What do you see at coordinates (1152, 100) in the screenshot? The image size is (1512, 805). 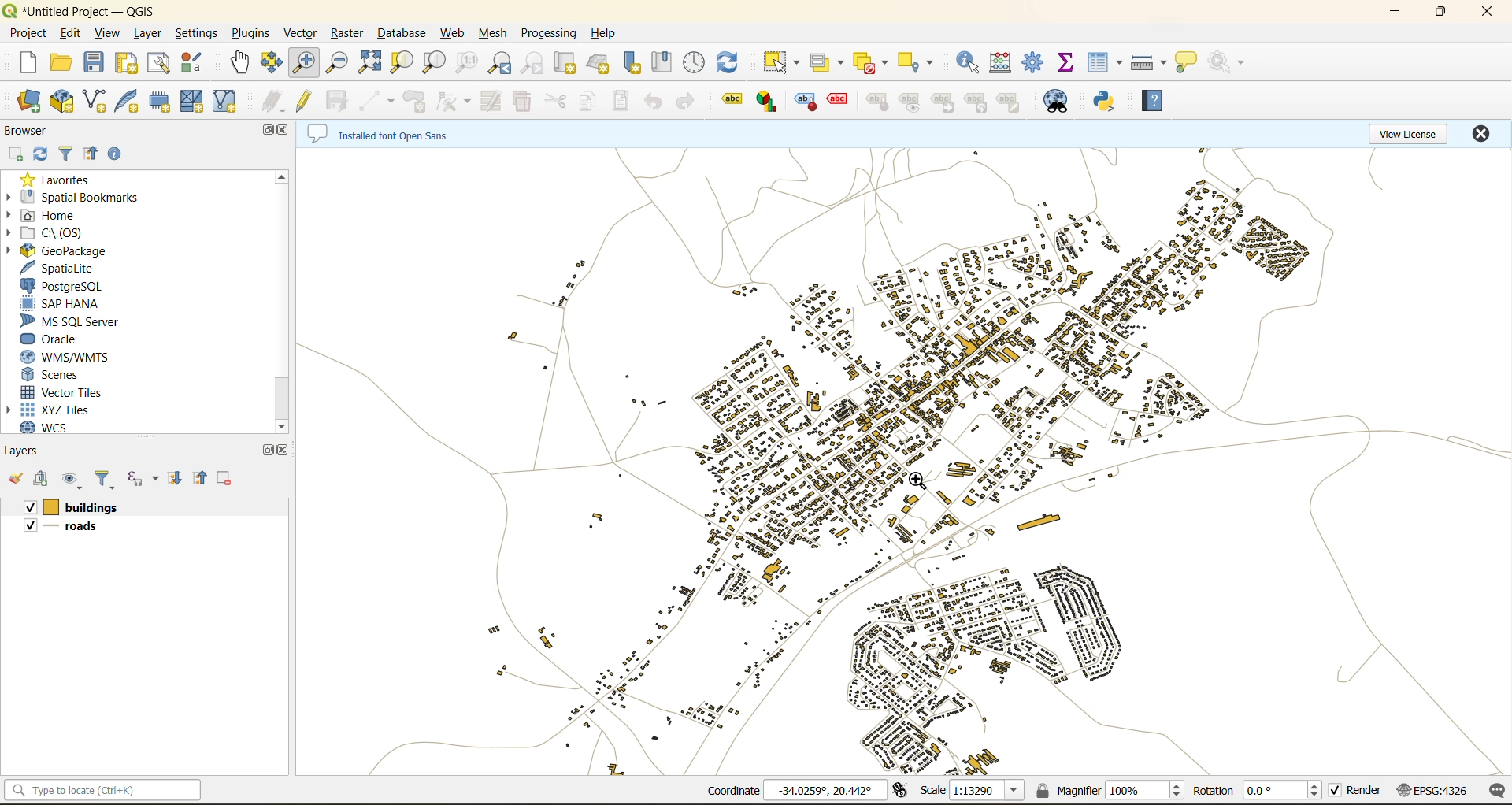 I see `help` at bounding box center [1152, 100].